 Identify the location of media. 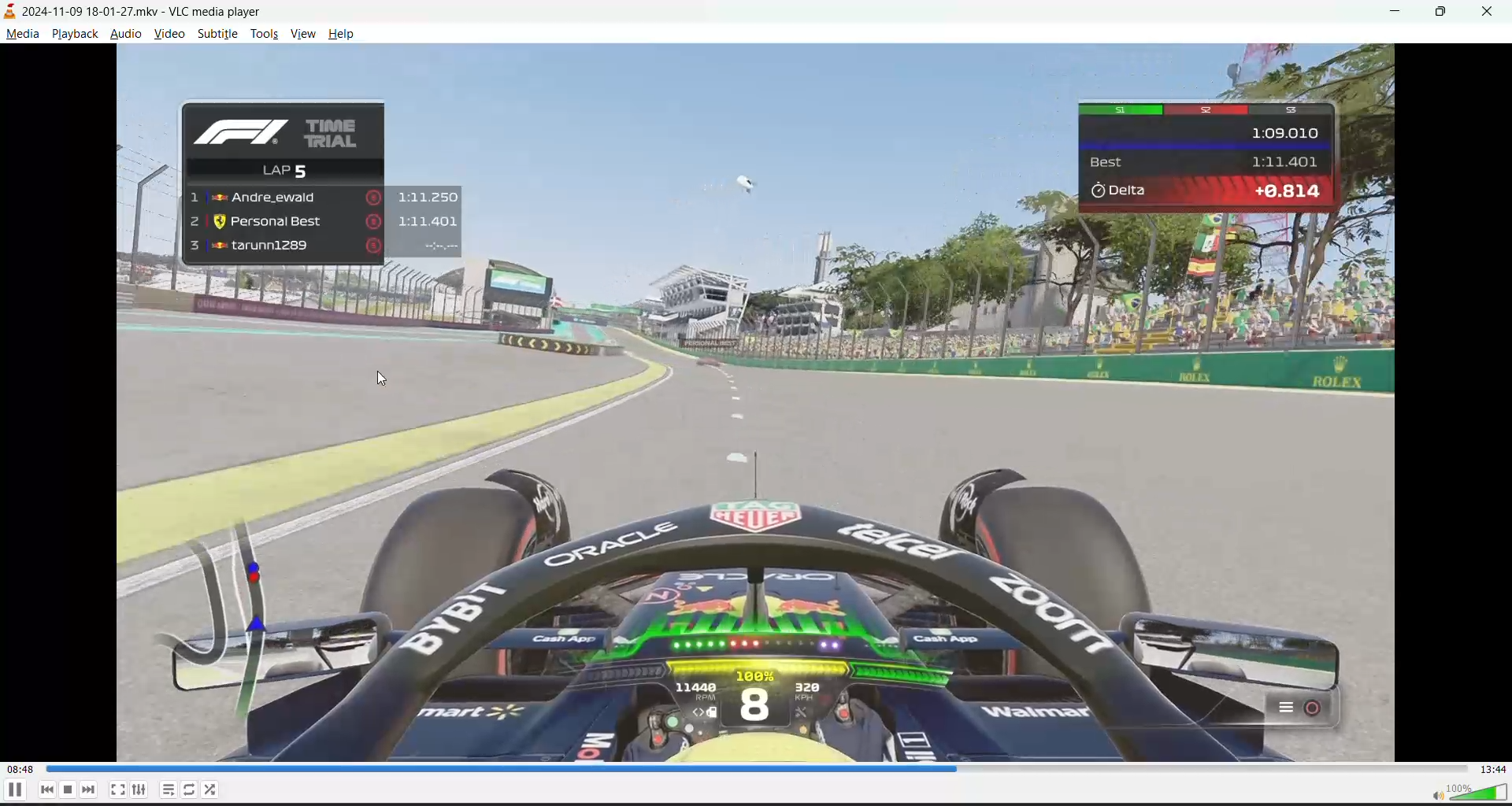
(24, 34).